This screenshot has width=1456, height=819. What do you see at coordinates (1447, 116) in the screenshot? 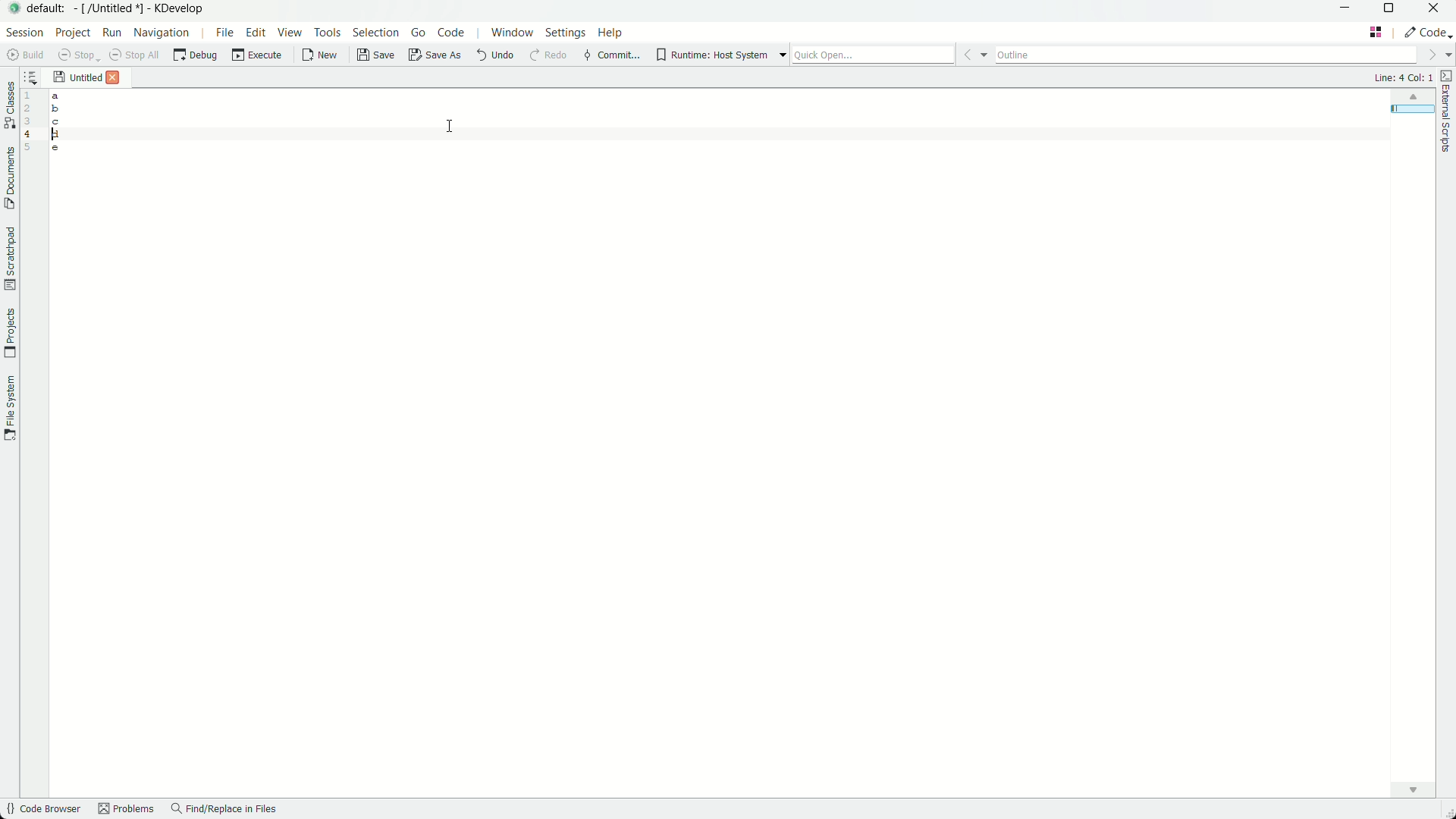
I see `external scripts` at bounding box center [1447, 116].